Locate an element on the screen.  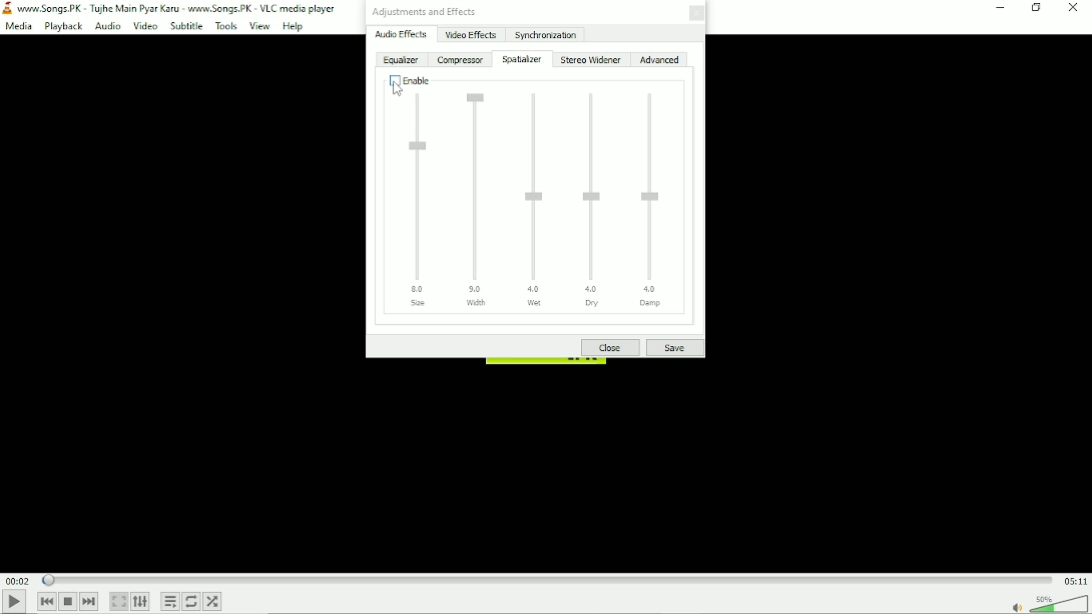
View is located at coordinates (260, 27).